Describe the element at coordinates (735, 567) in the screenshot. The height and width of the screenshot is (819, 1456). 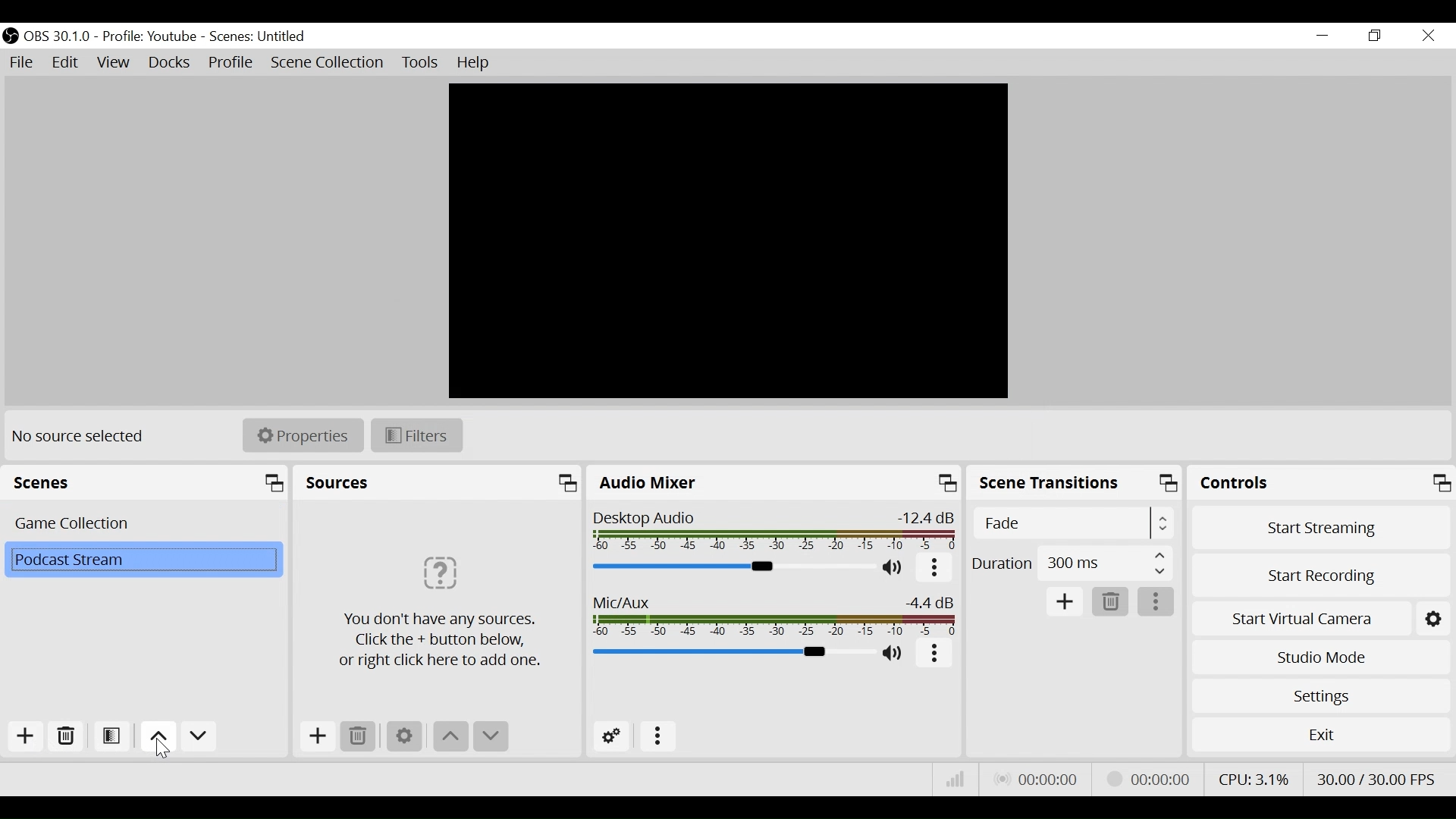
I see `Desktop Audio Slider` at that location.